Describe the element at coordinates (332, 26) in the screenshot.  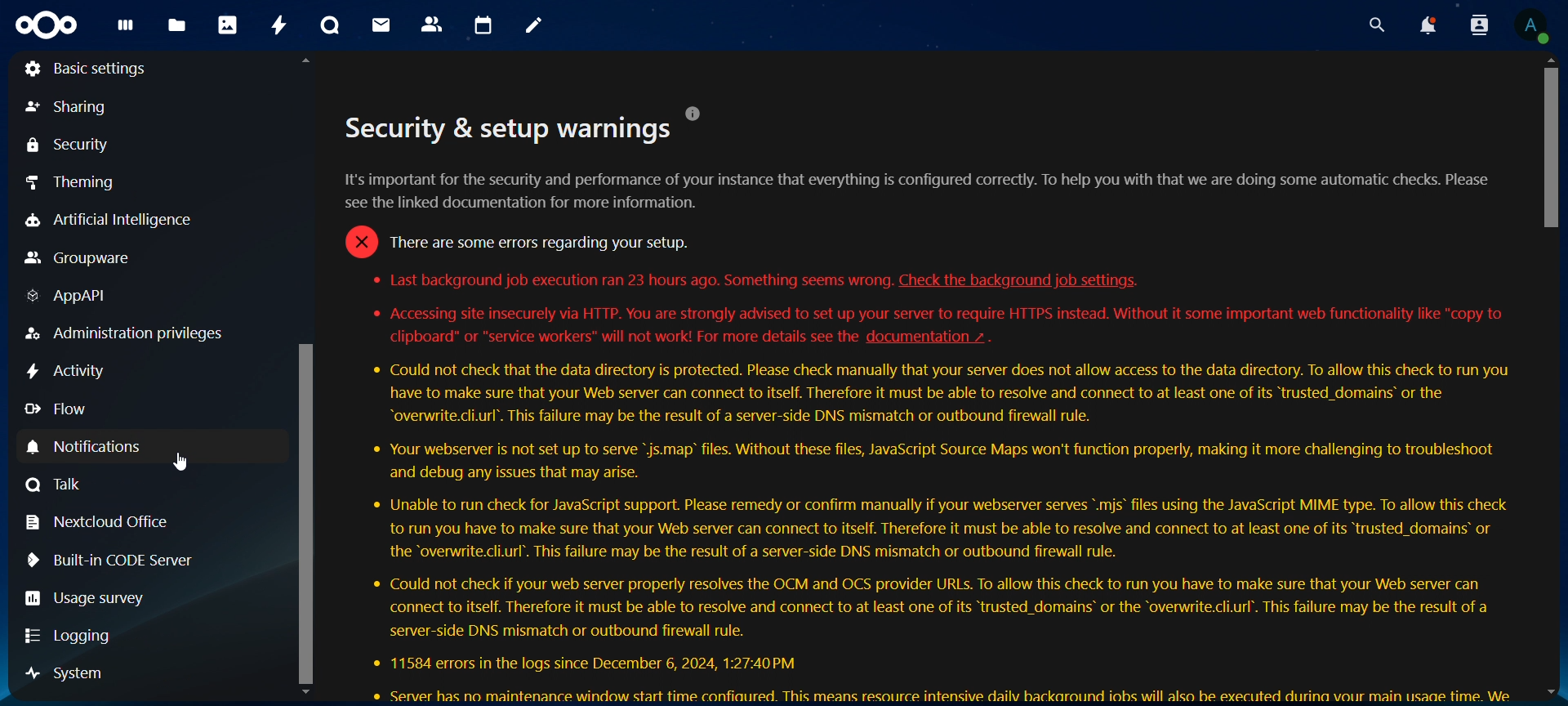
I see `talk` at that location.